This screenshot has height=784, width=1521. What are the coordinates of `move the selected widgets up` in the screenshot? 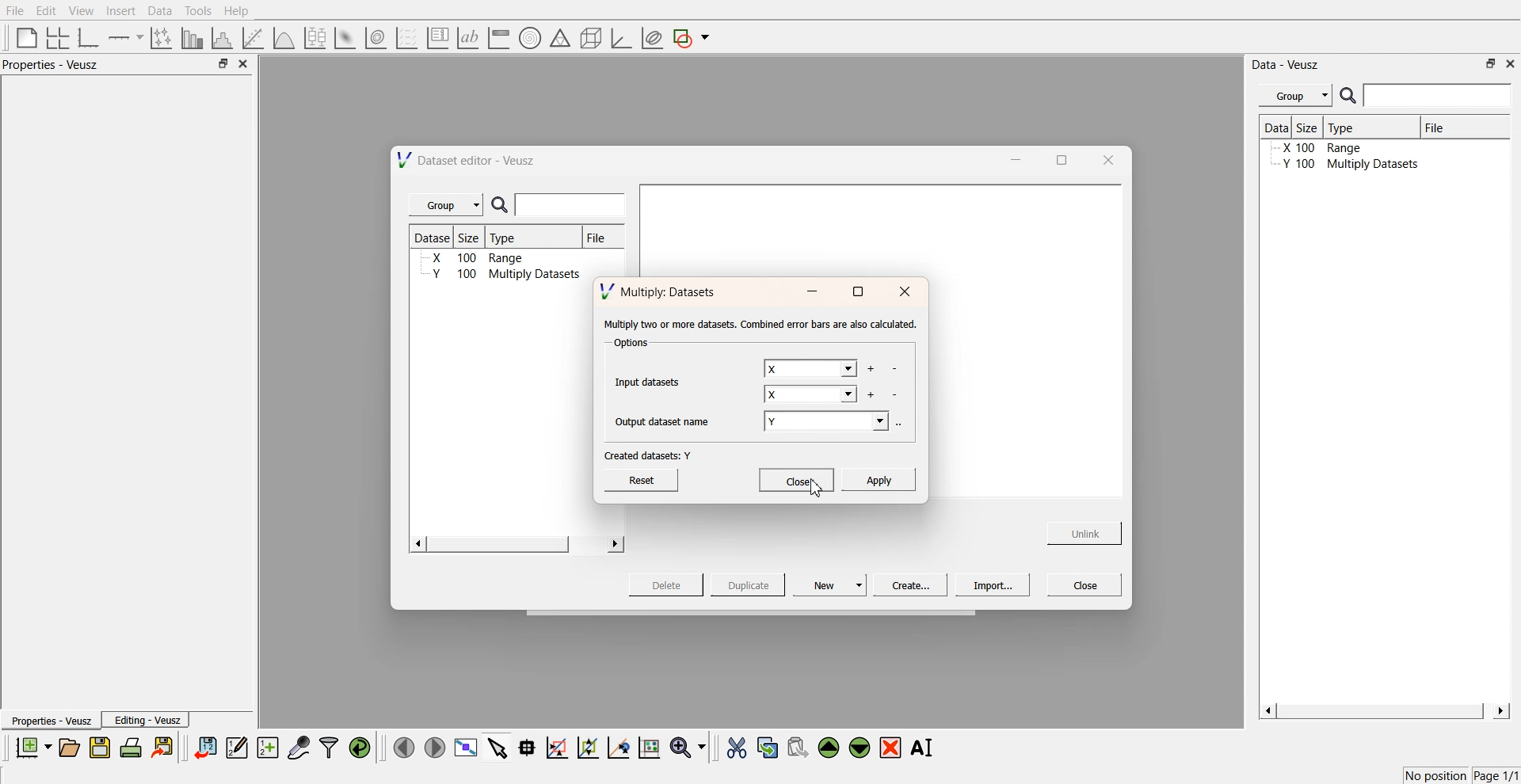 It's located at (830, 748).